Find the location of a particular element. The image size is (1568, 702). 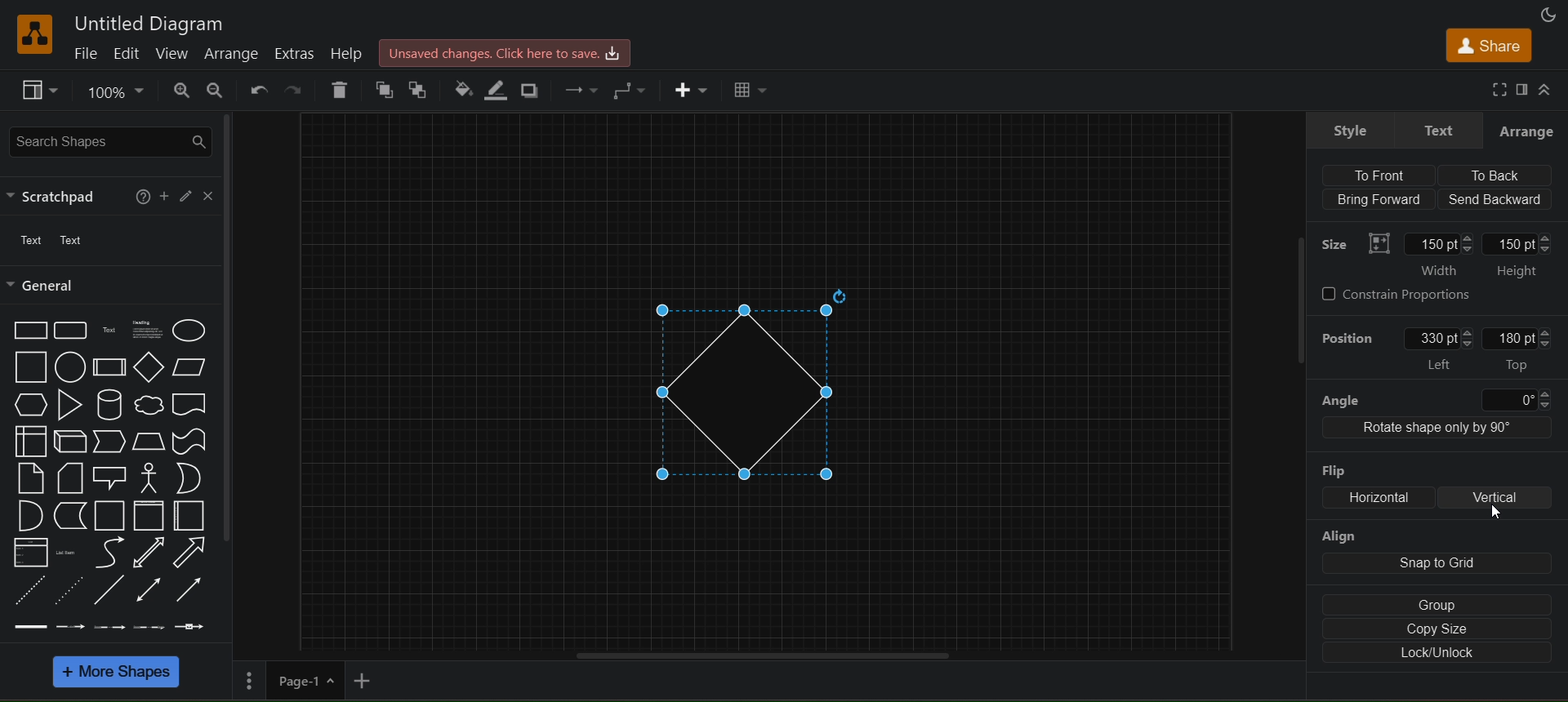

style is located at coordinates (1346, 131).